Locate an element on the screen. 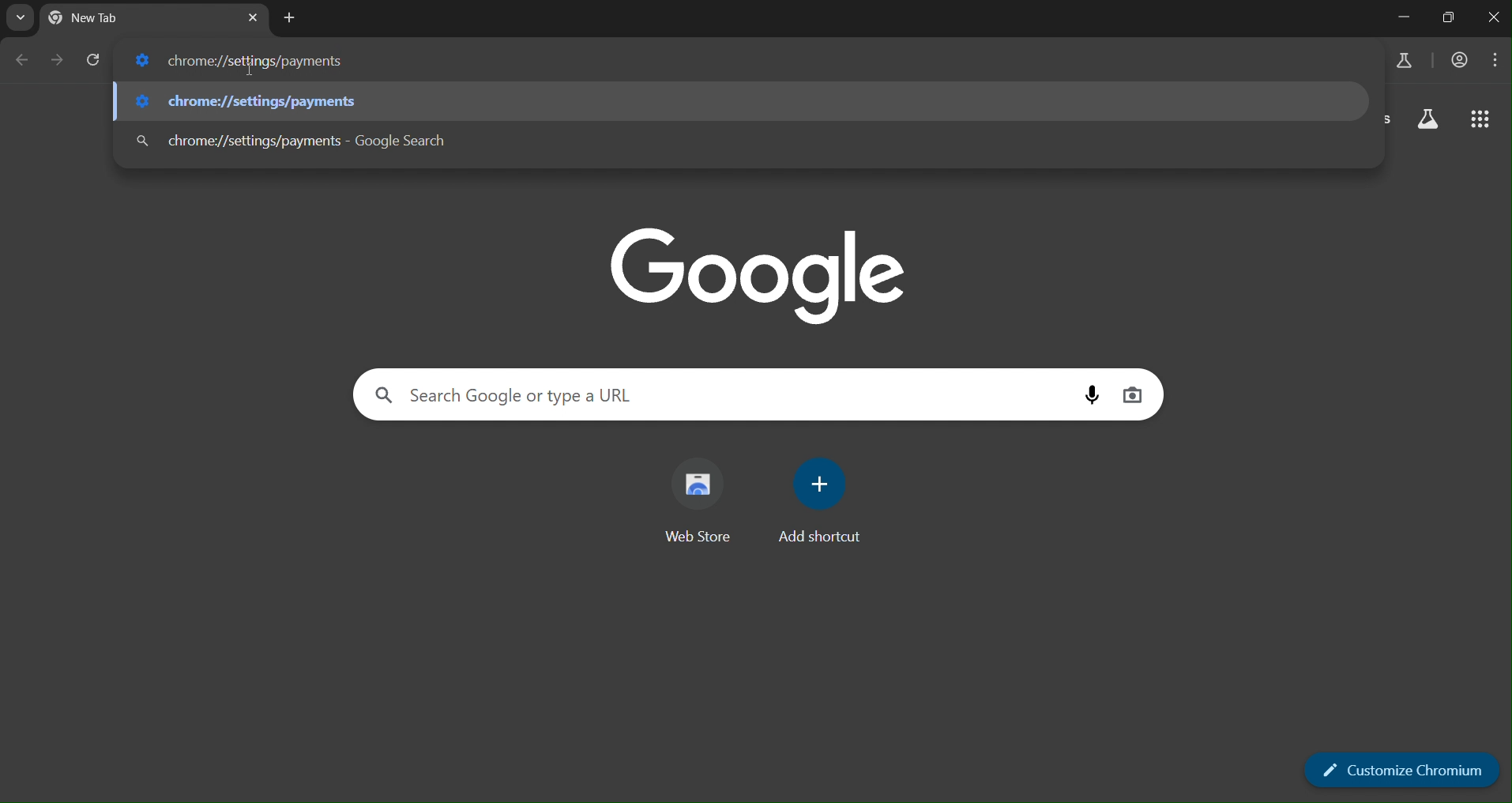 The image size is (1512, 803). minimize is located at coordinates (1401, 17).